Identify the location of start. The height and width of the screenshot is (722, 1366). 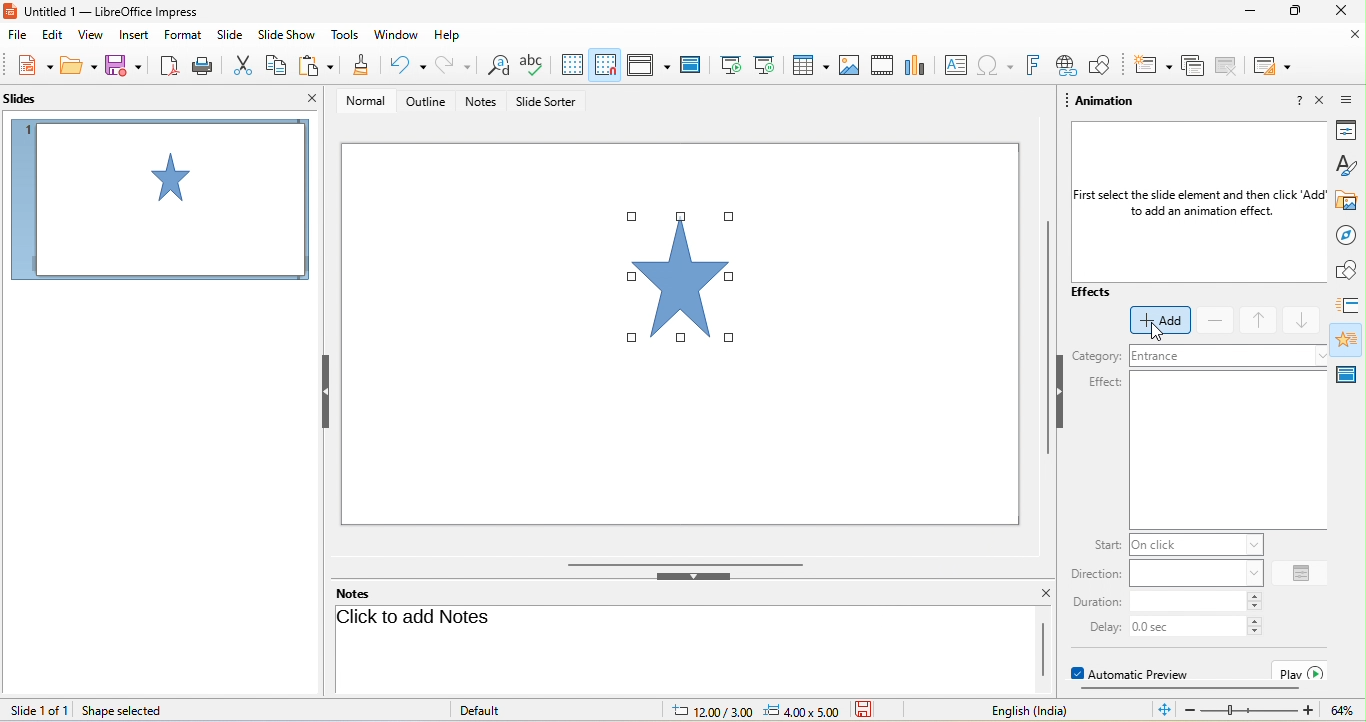
(1098, 546).